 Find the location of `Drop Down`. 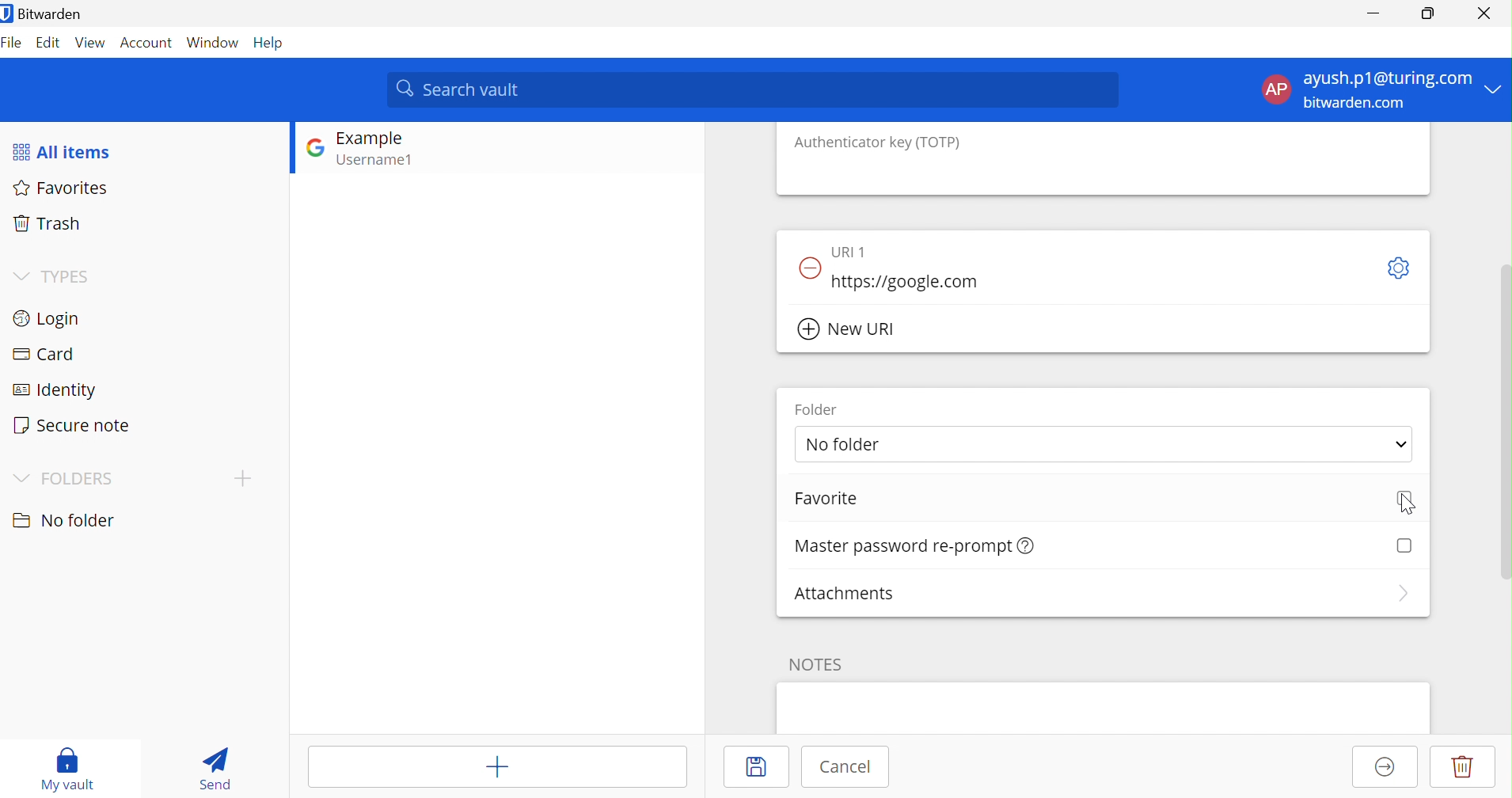

Drop Down is located at coordinates (20, 273).